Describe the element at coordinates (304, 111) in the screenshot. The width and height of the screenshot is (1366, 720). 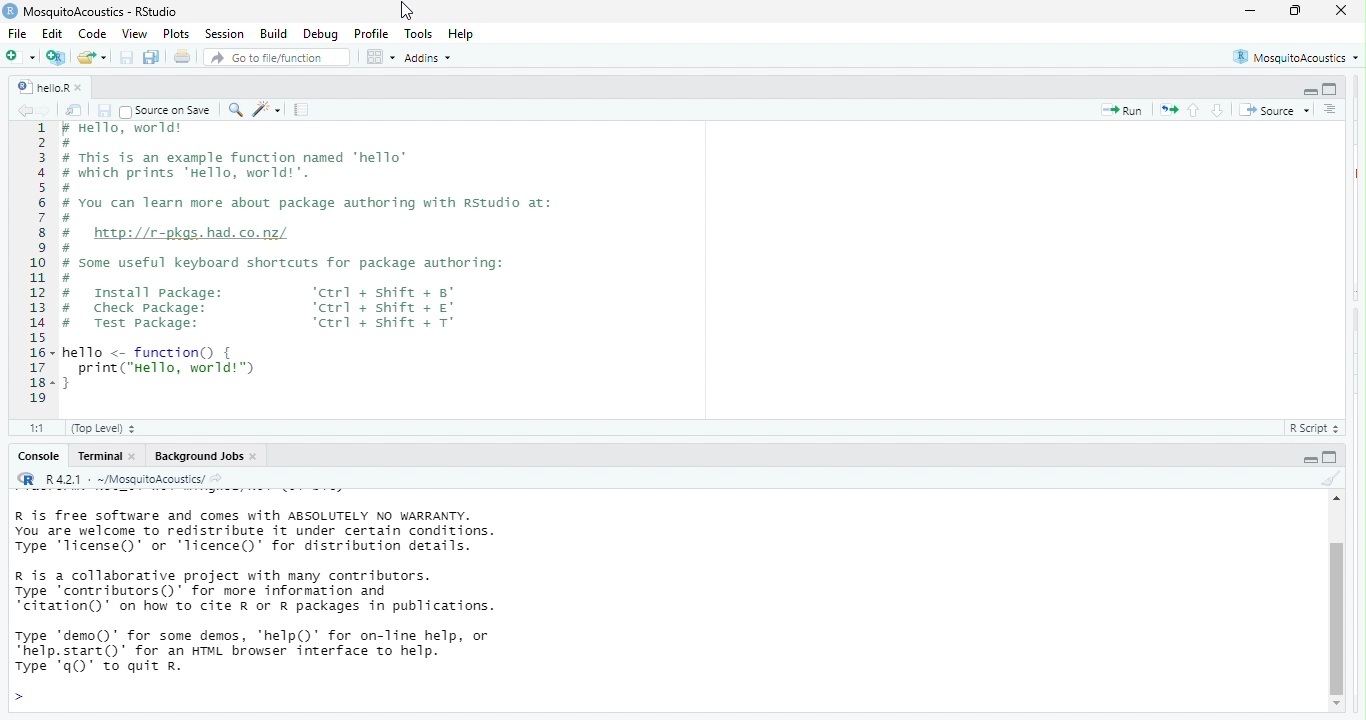
I see `compile report` at that location.